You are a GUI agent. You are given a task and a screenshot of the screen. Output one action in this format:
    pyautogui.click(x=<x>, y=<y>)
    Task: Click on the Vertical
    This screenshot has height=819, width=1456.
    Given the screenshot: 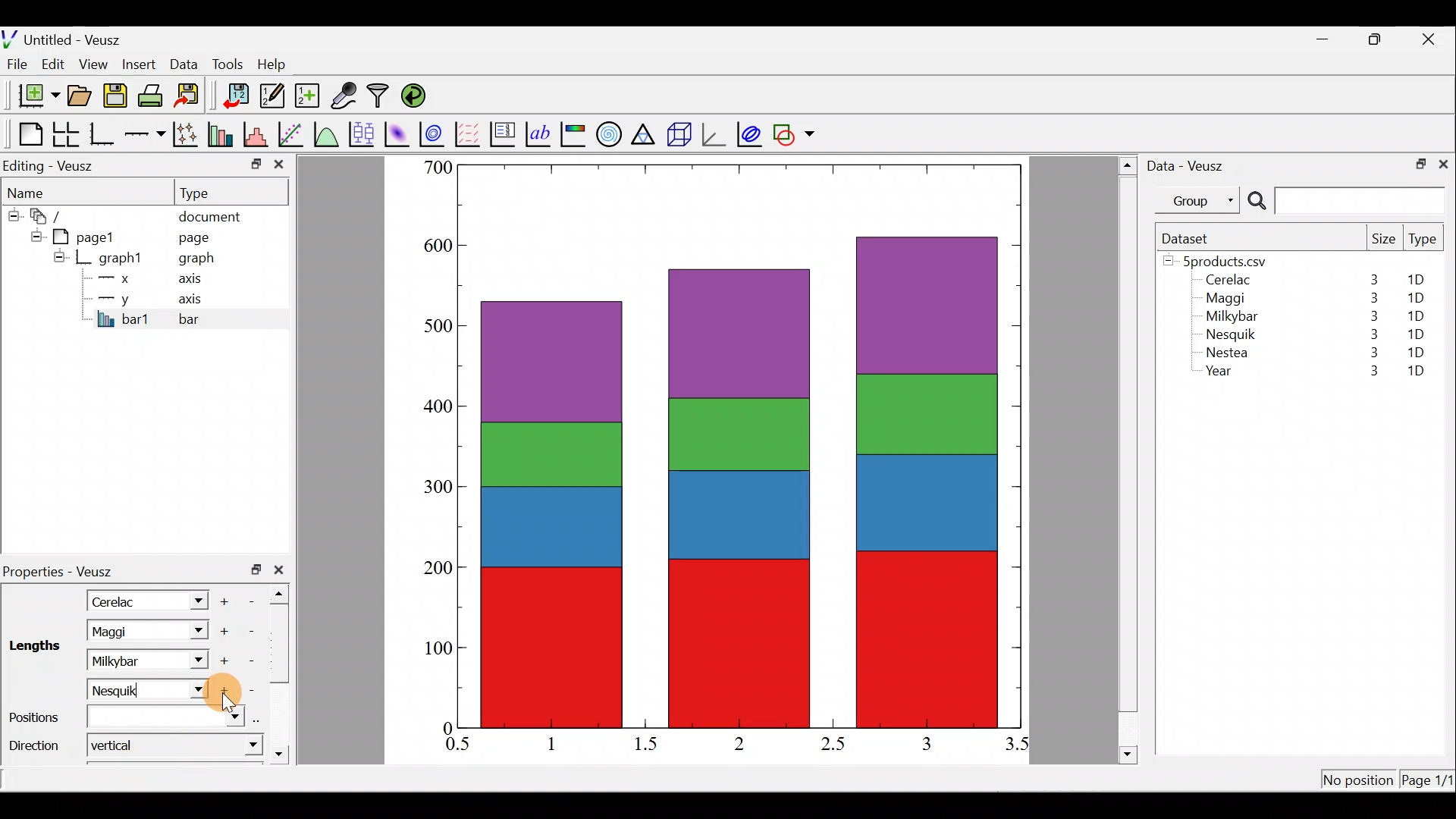 What is the action you would take?
    pyautogui.click(x=122, y=743)
    